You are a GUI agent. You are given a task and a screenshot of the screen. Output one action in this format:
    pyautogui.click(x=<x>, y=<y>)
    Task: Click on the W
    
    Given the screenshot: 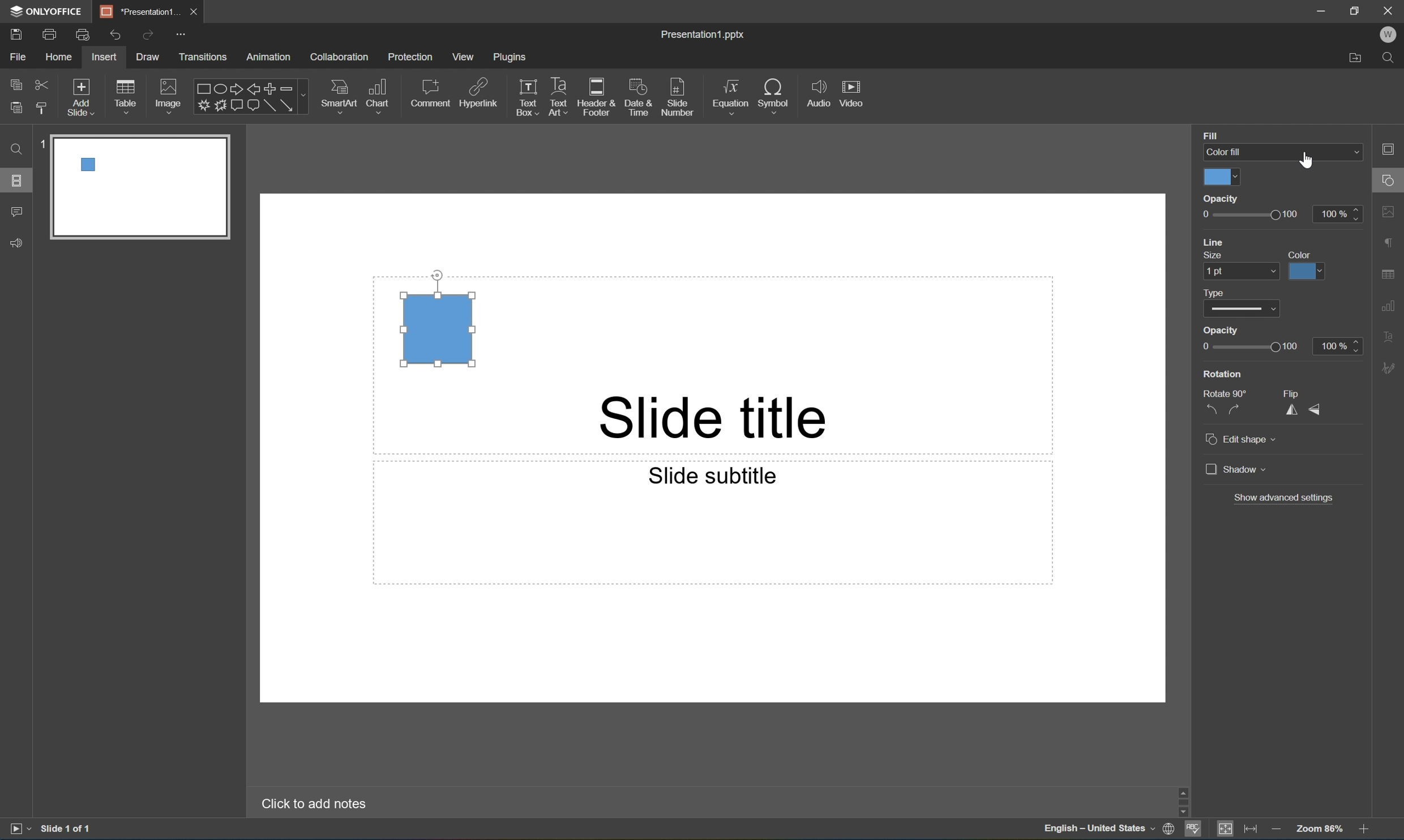 What is the action you would take?
    pyautogui.click(x=1388, y=35)
    